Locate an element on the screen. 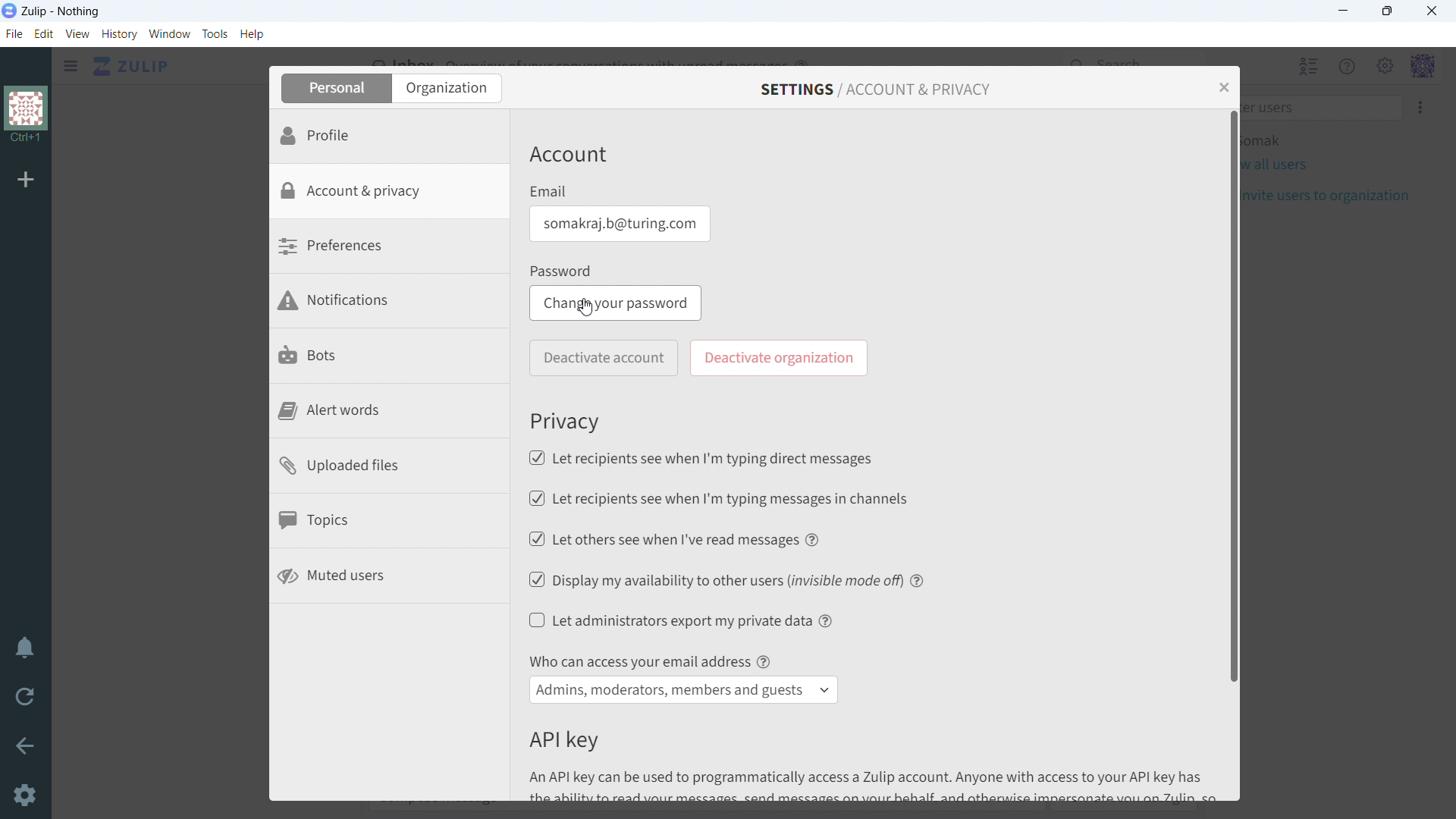 The height and width of the screenshot is (819, 1456). preferences is located at coordinates (389, 248).